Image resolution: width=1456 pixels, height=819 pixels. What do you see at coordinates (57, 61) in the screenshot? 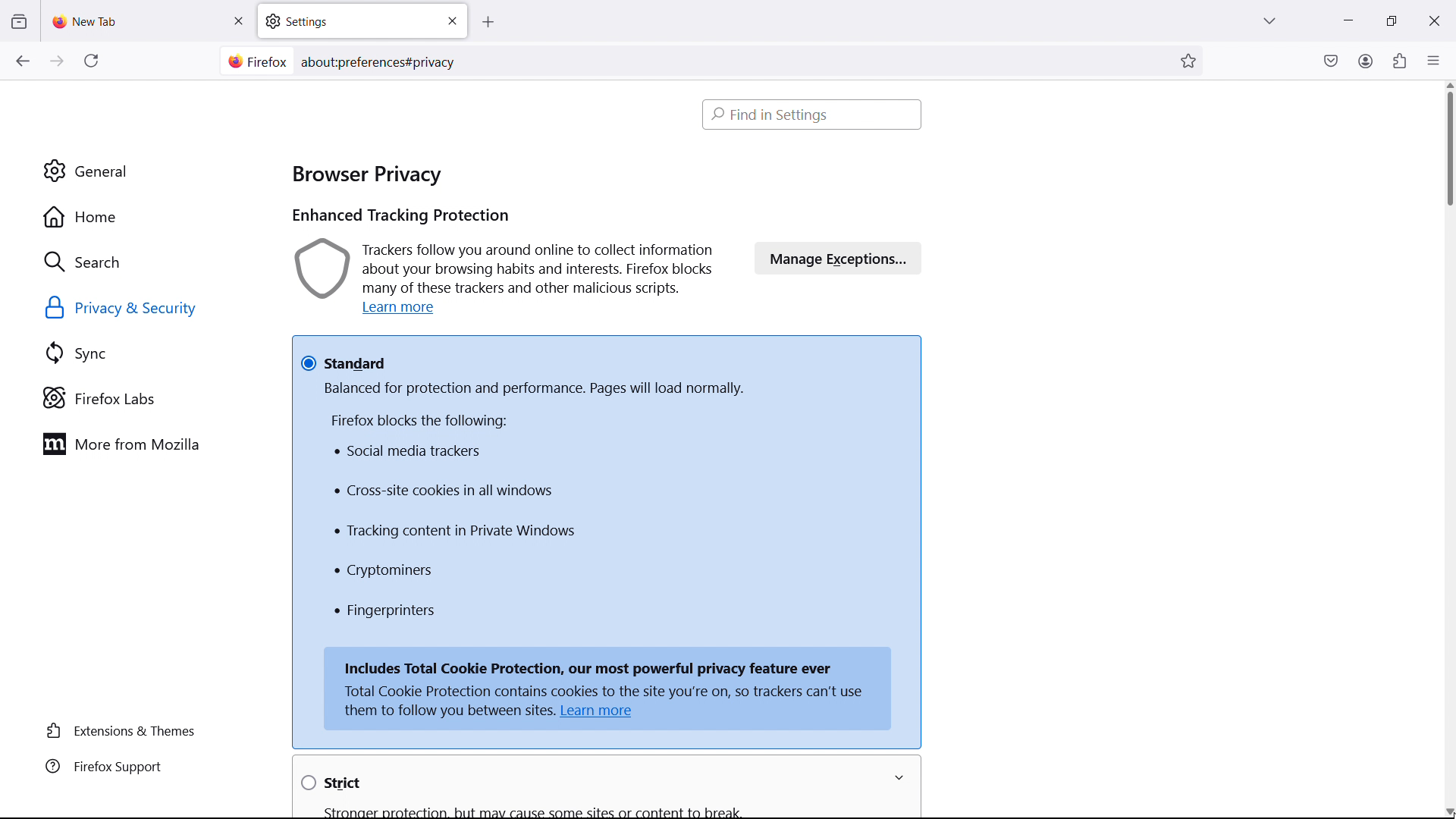
I see `go forward one page, right click or pull down to show history` at bounding box center [57, 61].